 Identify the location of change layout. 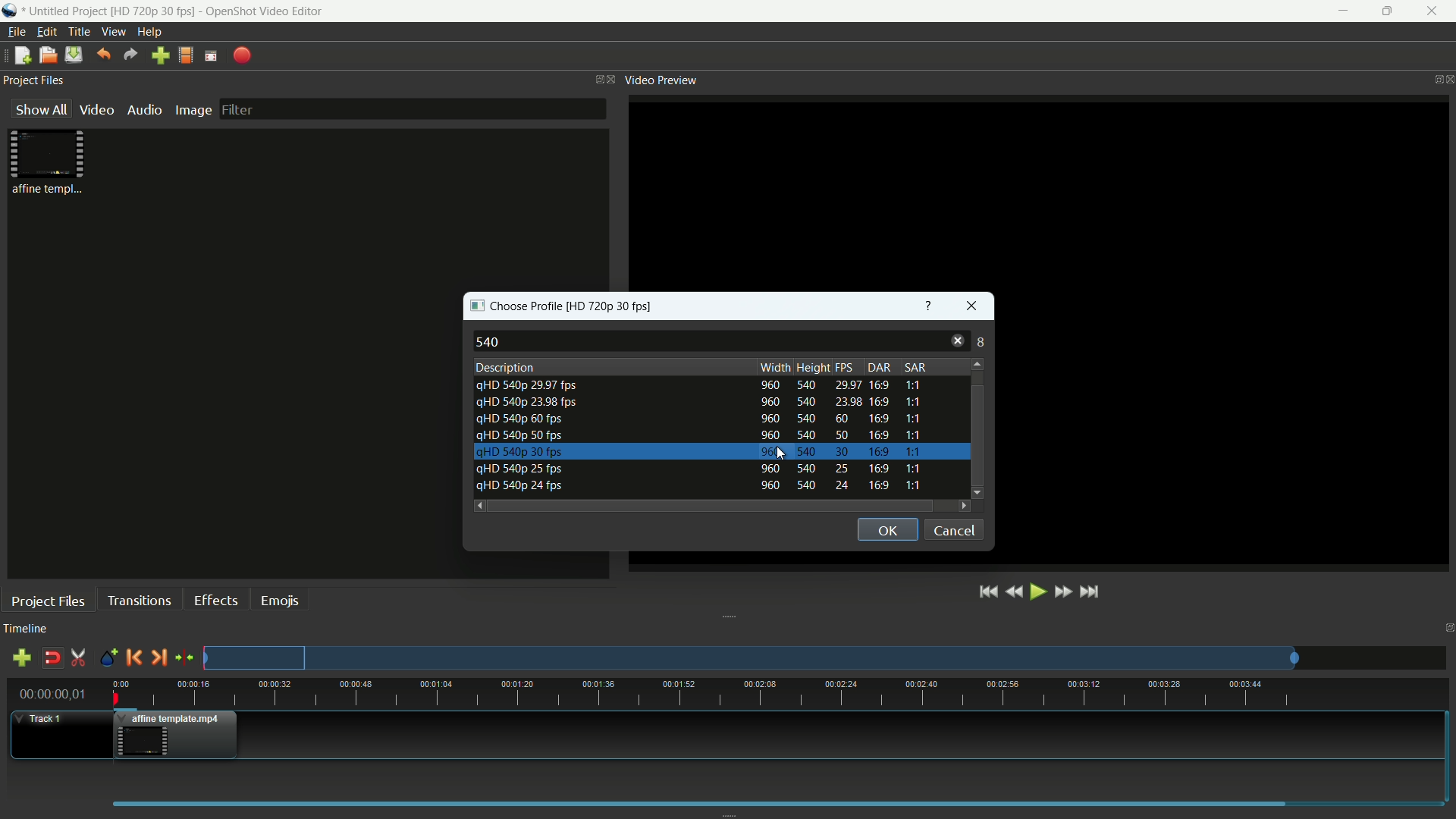
(595, 79).